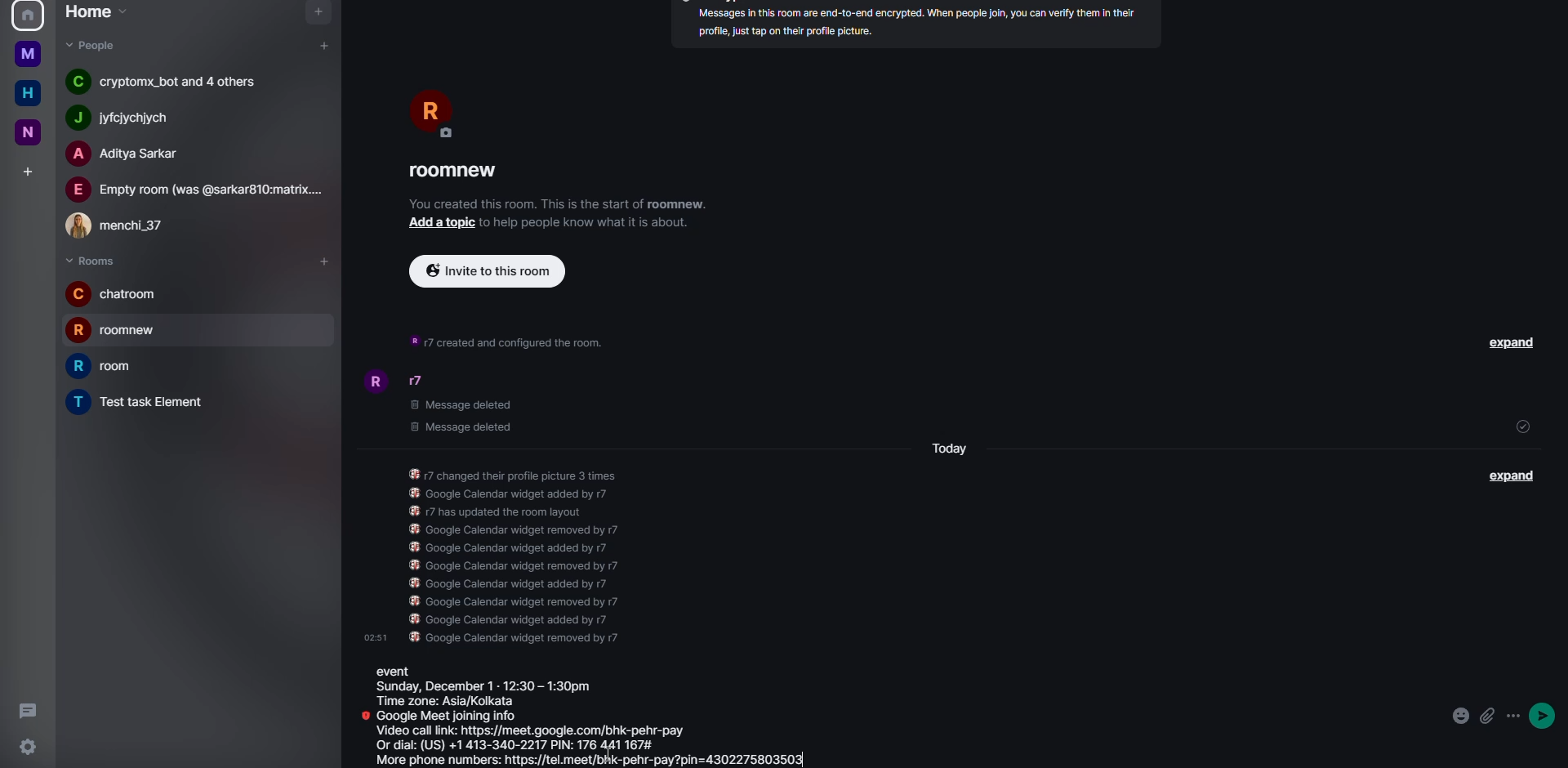  Describe the element at coordinates (1485, 712) in the screenshot. I see `attach` at that location.